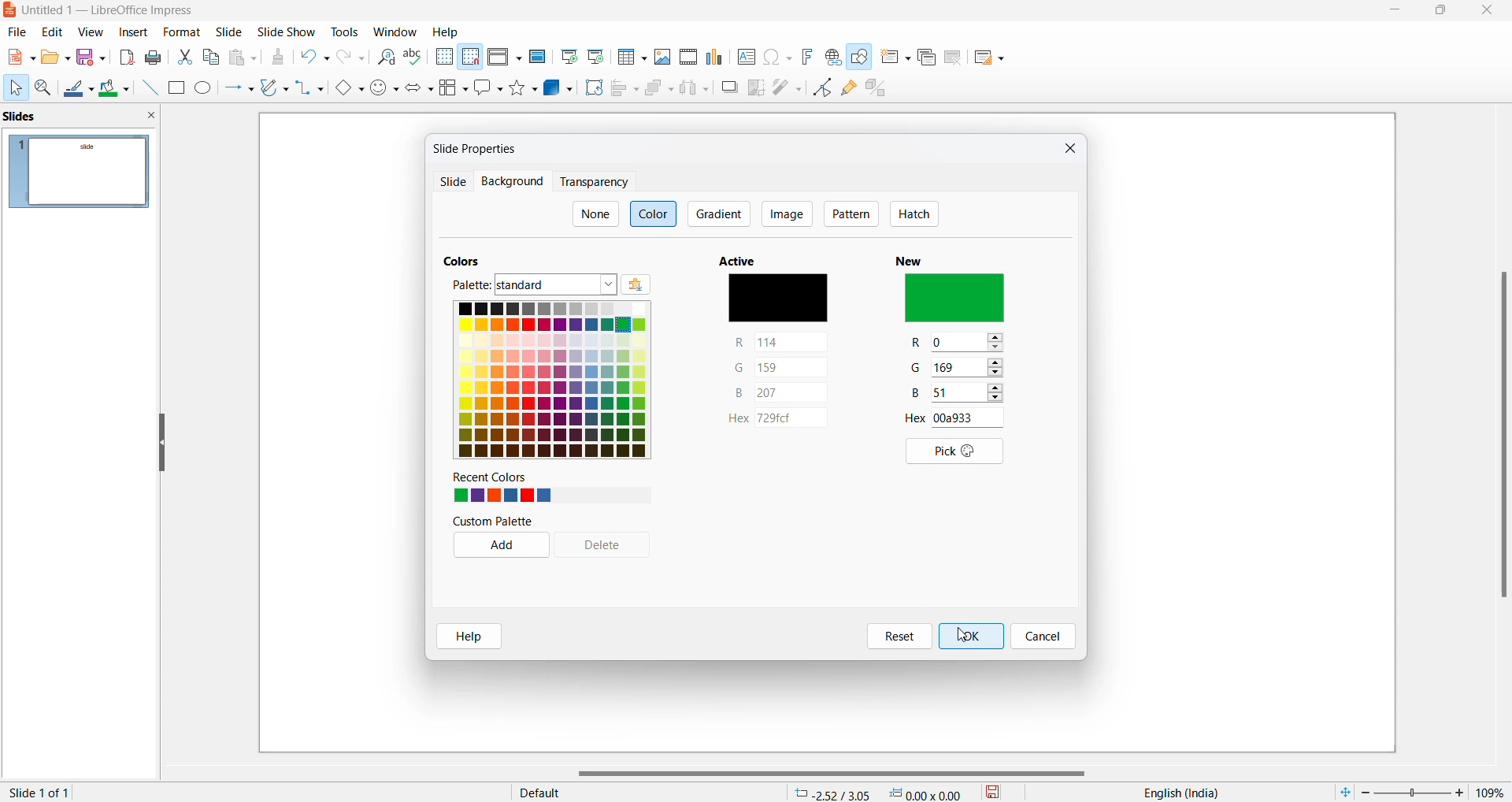 This screenshot has height=802, width=1512. I want to click on curve and polygons, so click(275, 89).